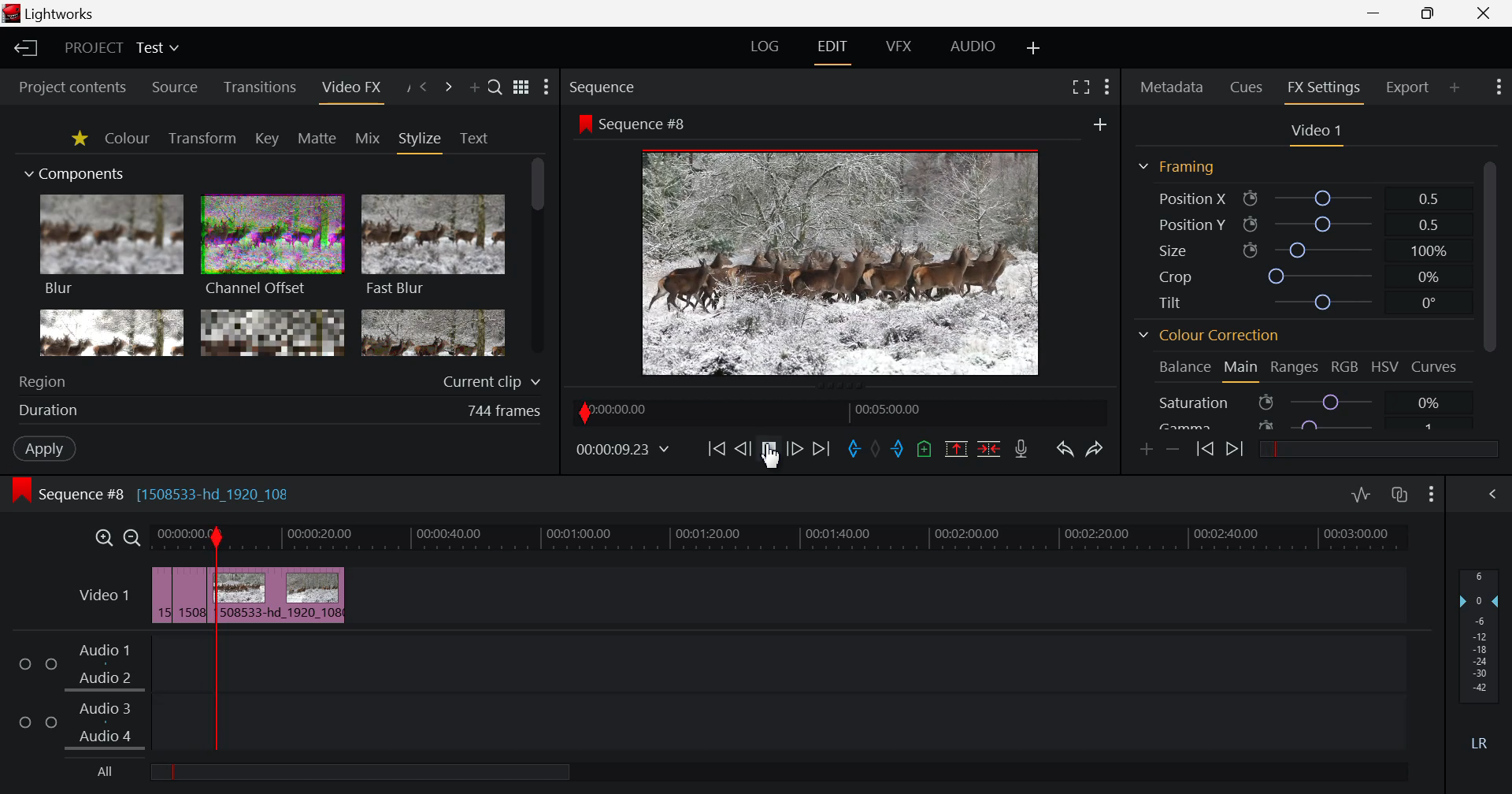  Describe the element at coordinates (113, 333) in the screenshot. I see `Glow` at that location.